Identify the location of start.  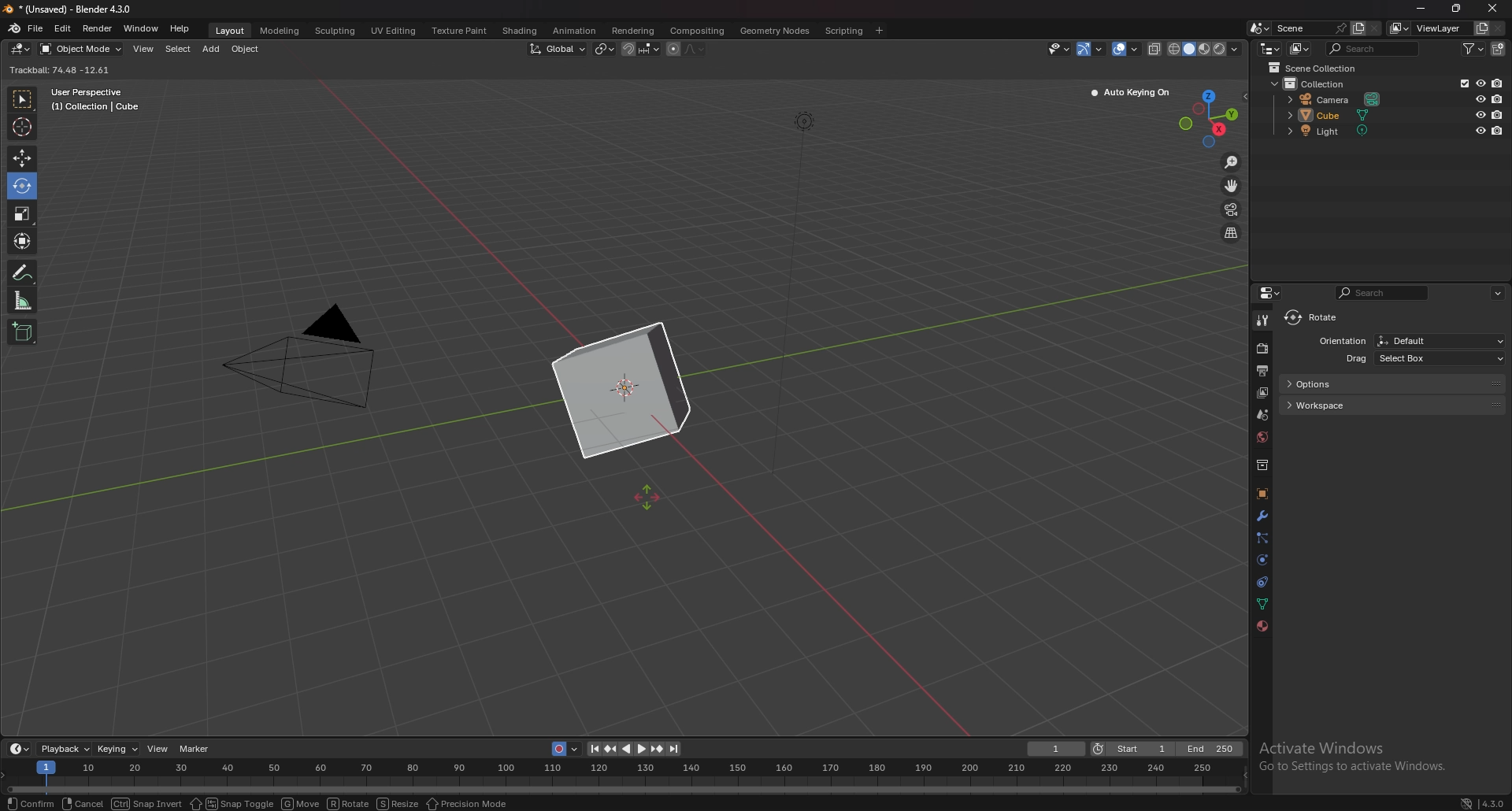
(1133, 749).